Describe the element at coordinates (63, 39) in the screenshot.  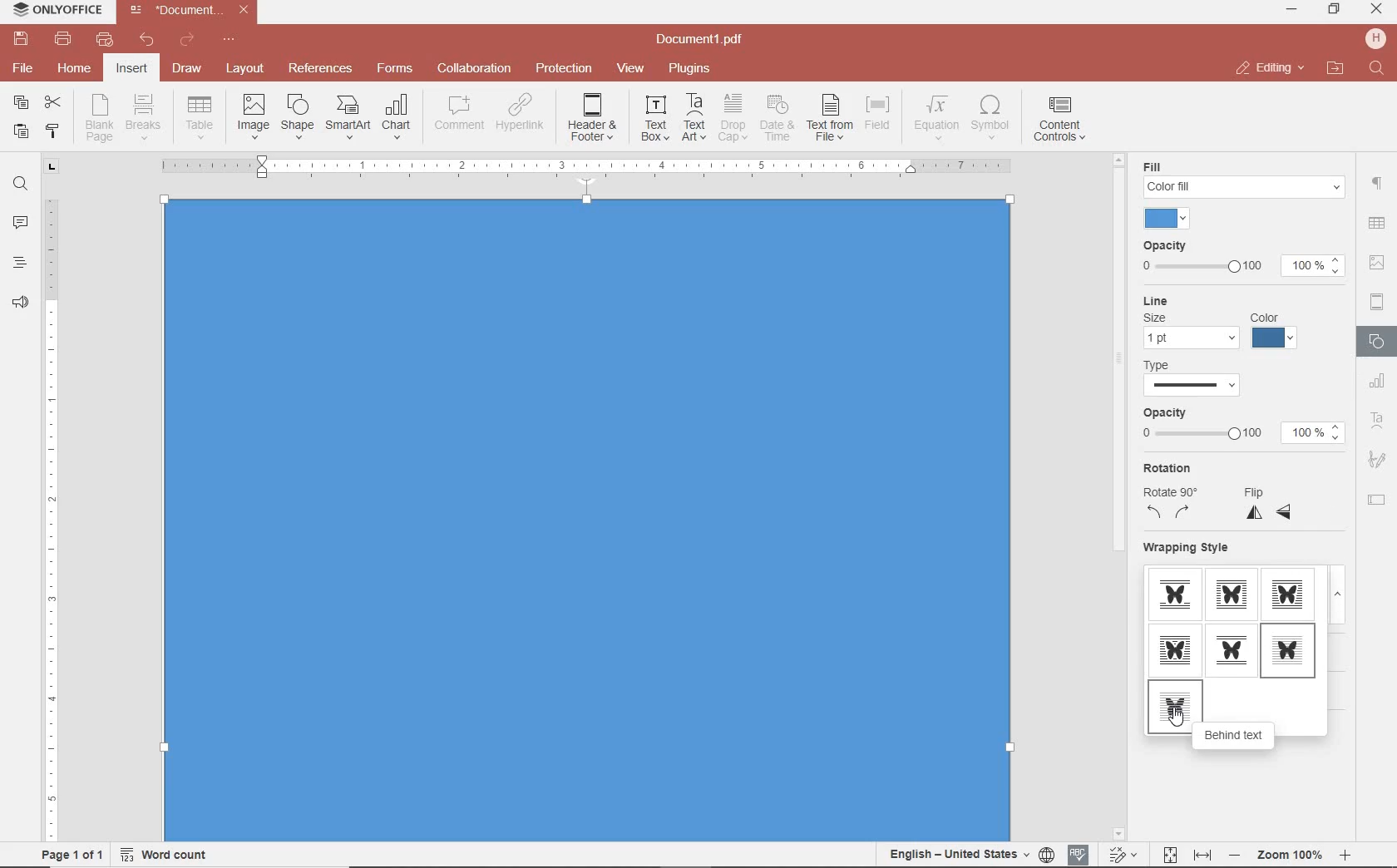
I see `print file` at that location.